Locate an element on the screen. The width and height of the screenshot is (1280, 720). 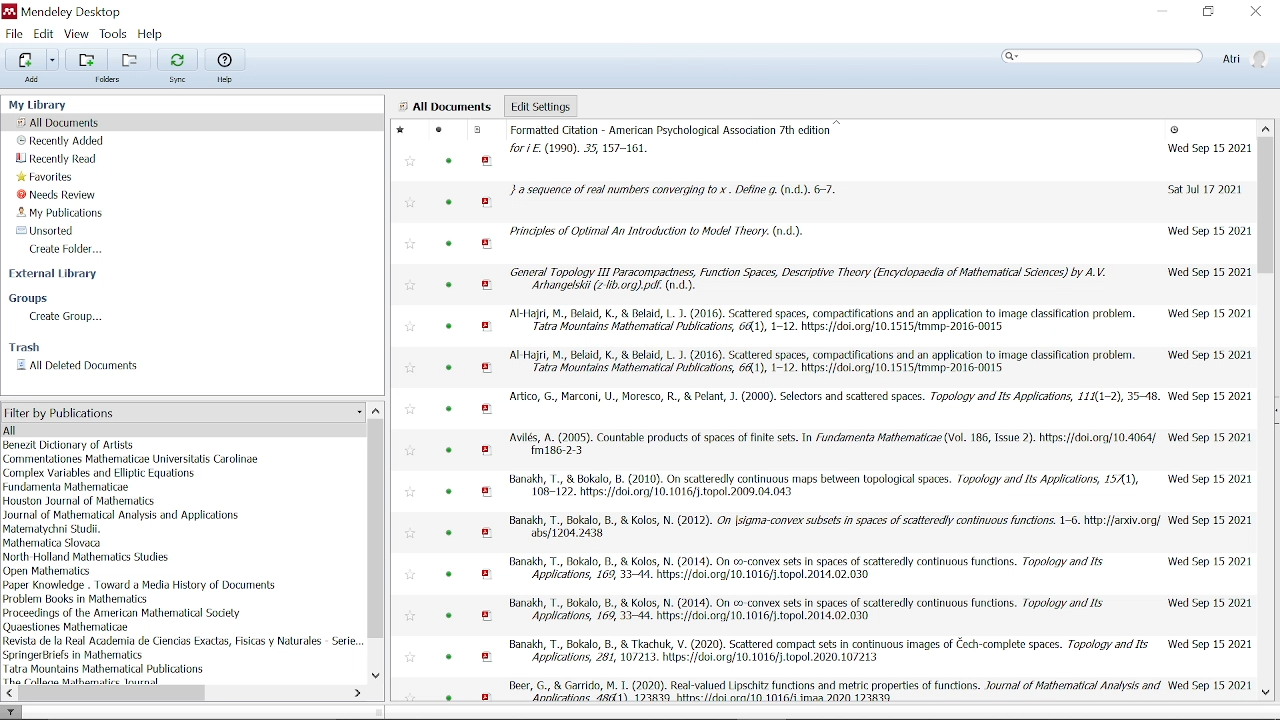
Move up in filter by publication is located at coordinates (376, 410).